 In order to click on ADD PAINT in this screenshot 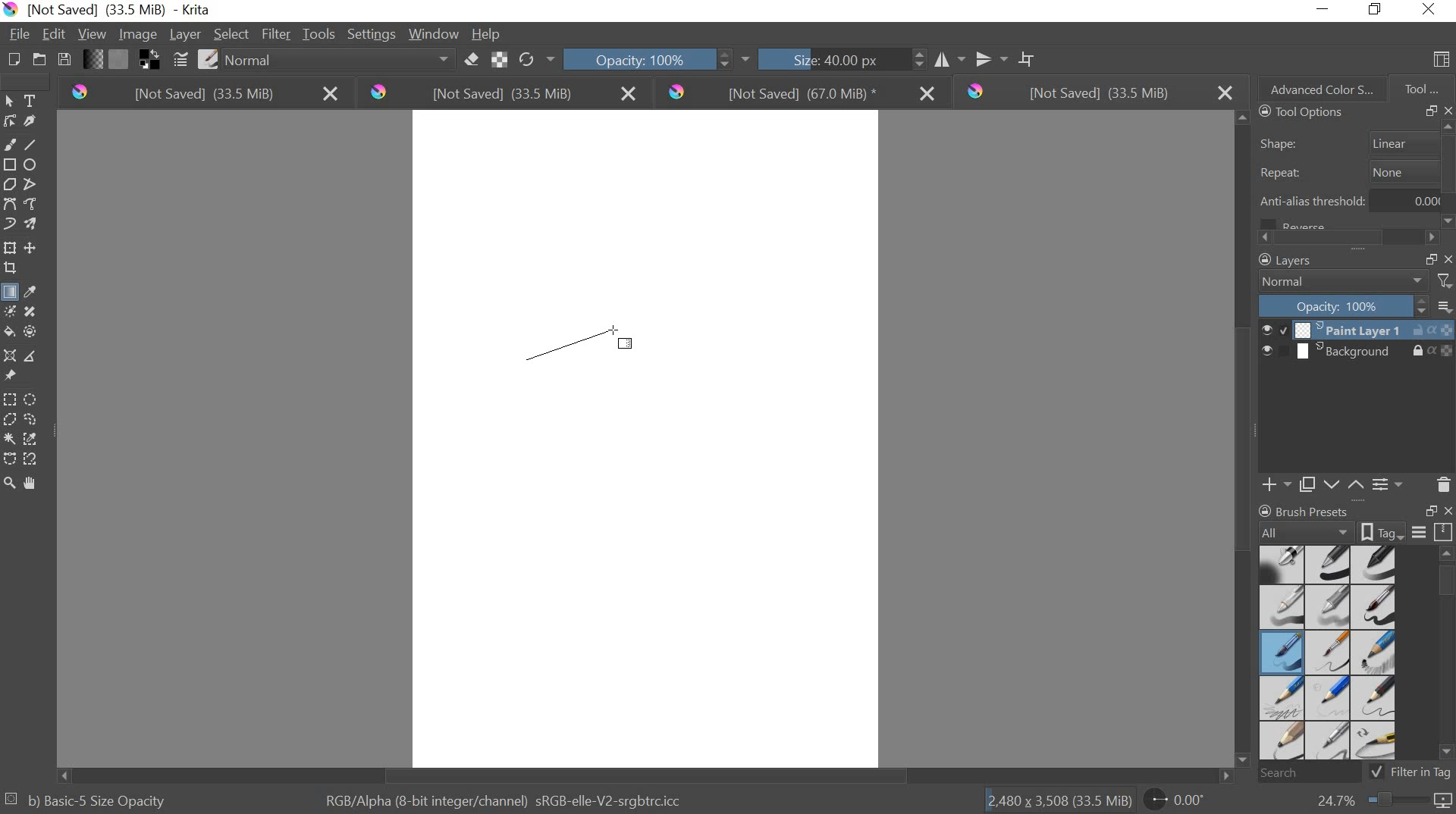, I will do `click(1274, 484)`.